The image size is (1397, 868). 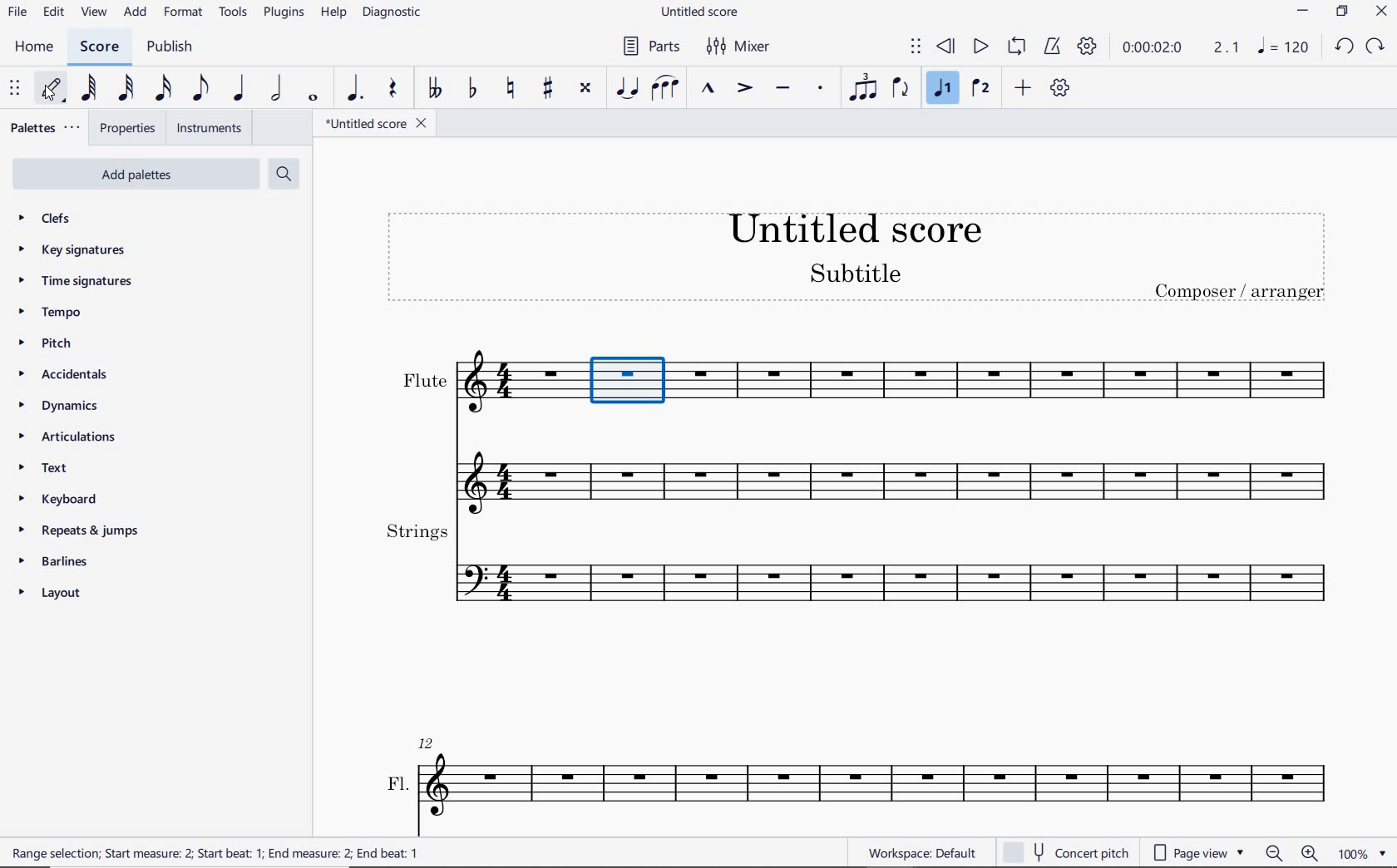 What do you see at coordinates (240, 89) in the screenshot?
I see `QUARTER NOTE` at bounding box center [240, 89].